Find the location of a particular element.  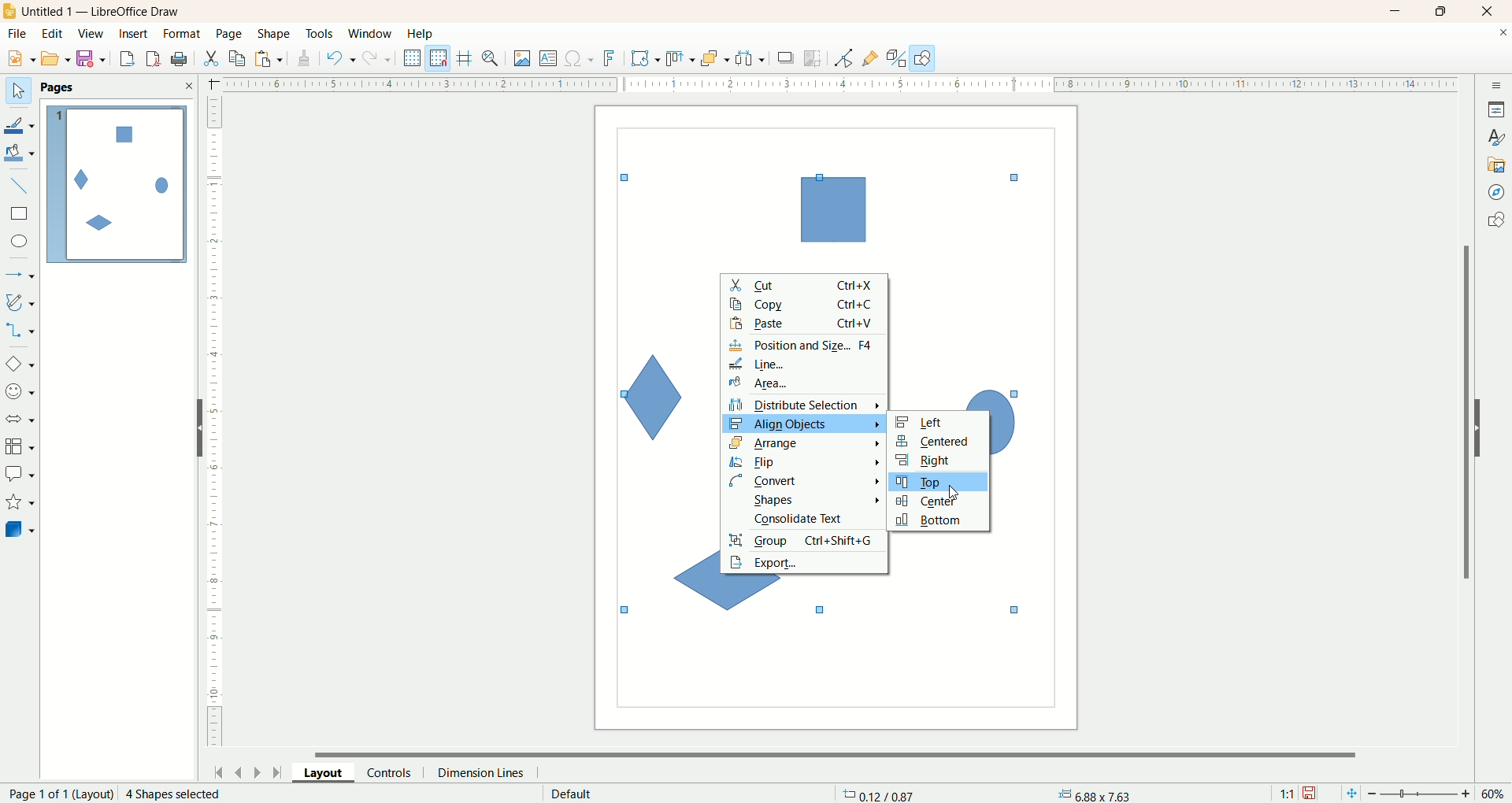

control is located at coordinates (396, 772).